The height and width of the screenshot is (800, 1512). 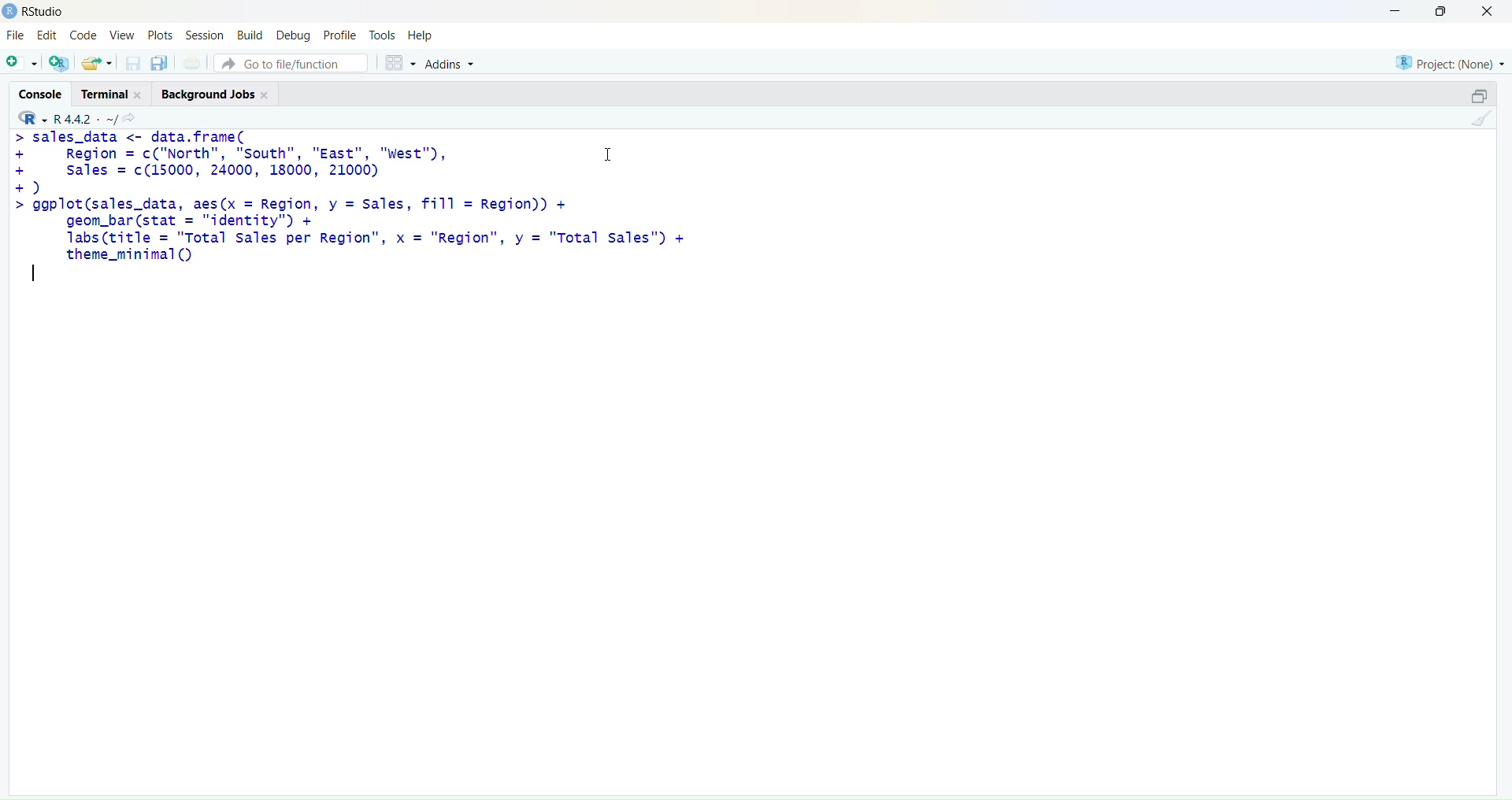 I want to click on Build, so click(x=249, y=35).